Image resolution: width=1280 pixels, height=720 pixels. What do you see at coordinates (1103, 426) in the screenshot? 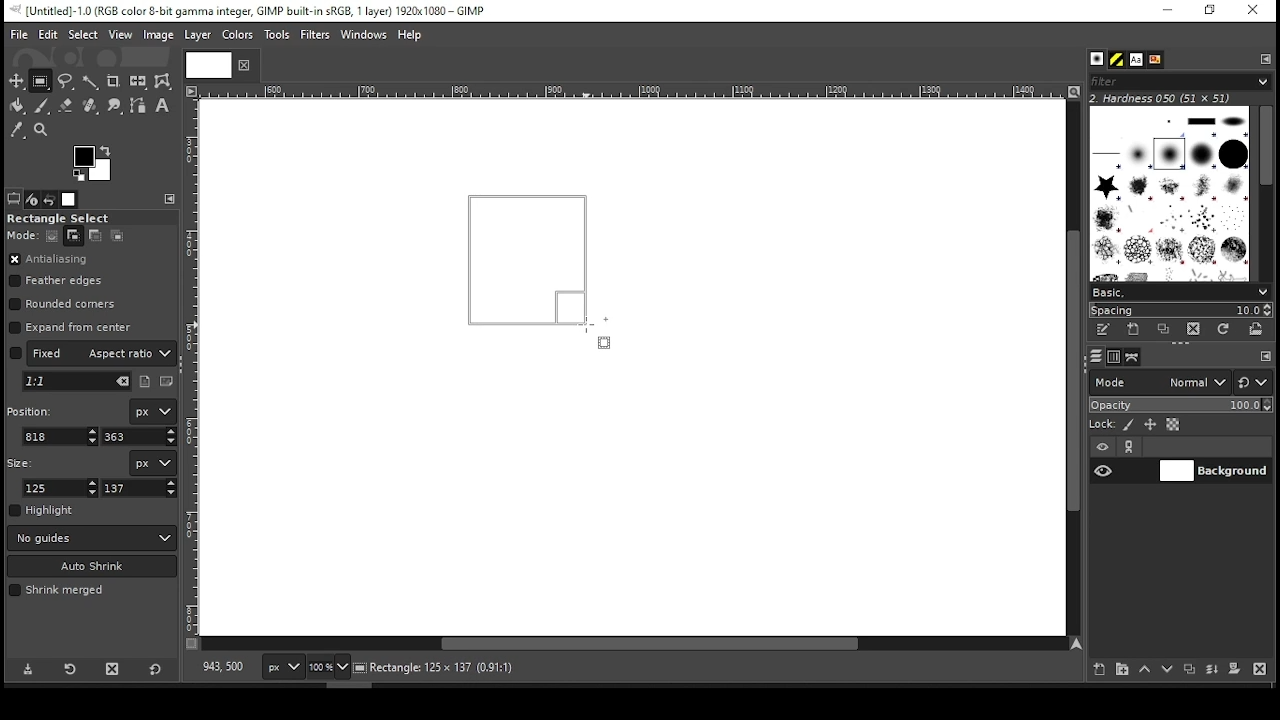
I see `lock:` at bounding box center [1103, 426].